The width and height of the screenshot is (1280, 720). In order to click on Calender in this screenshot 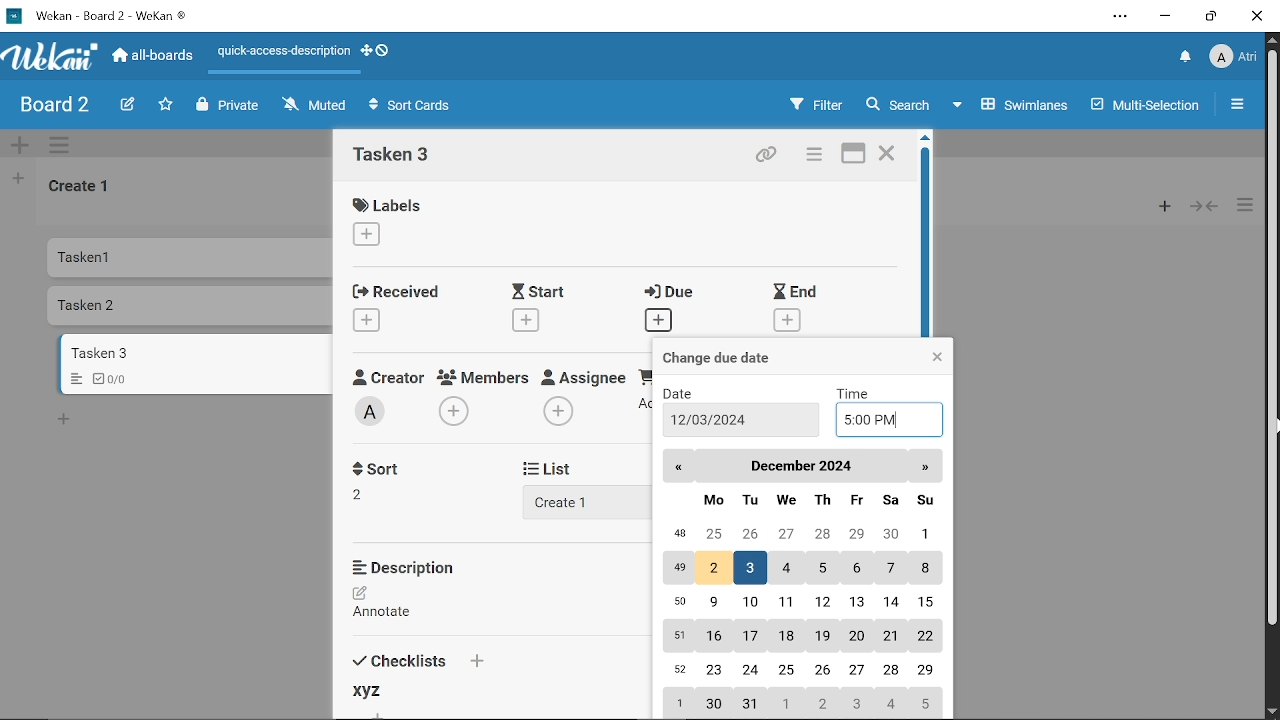, I will do `click(800, 603)`.